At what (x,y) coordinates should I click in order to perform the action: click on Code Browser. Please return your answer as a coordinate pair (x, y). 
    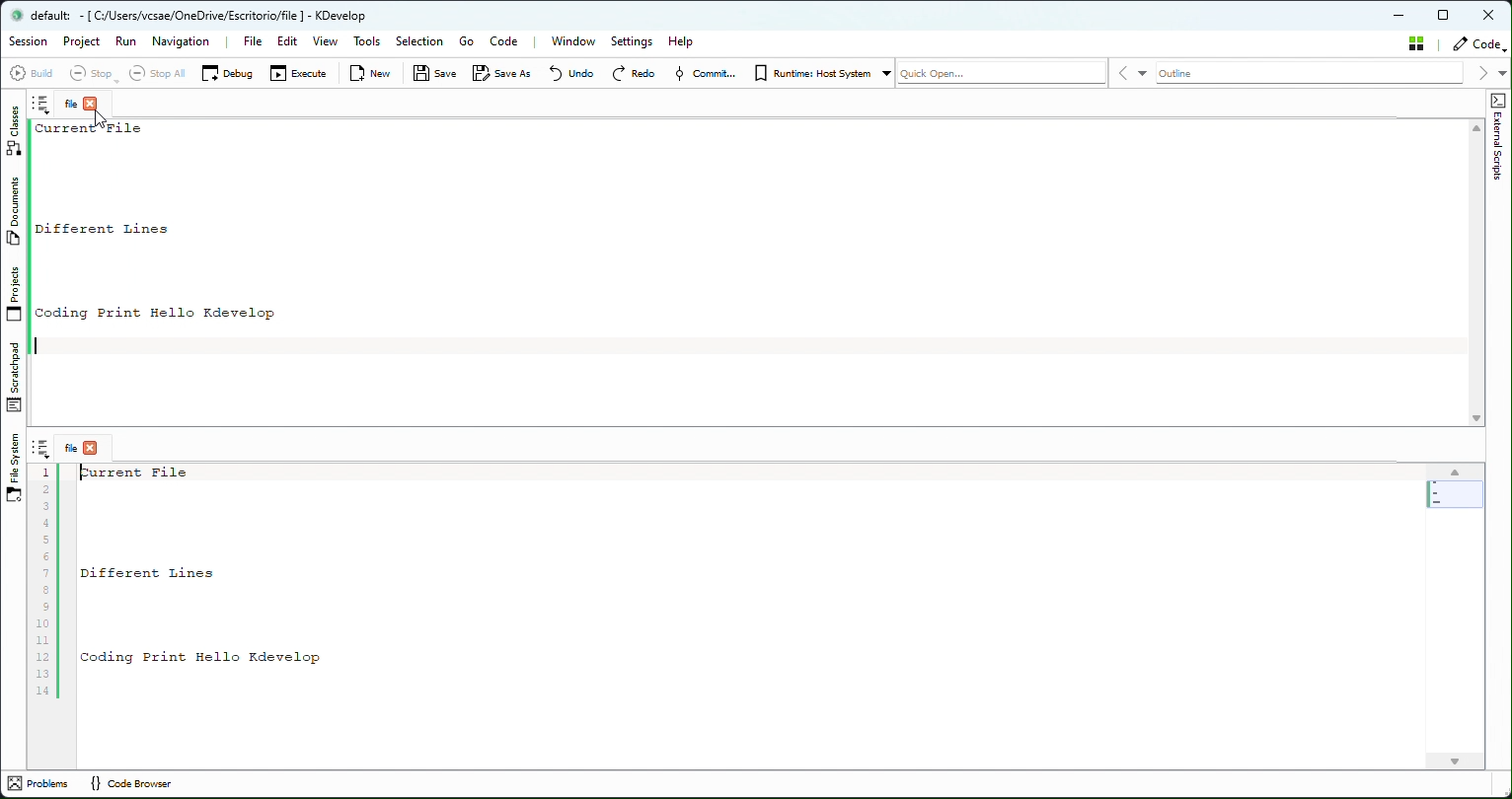
    Looking at the image, I should click on (141, 786).